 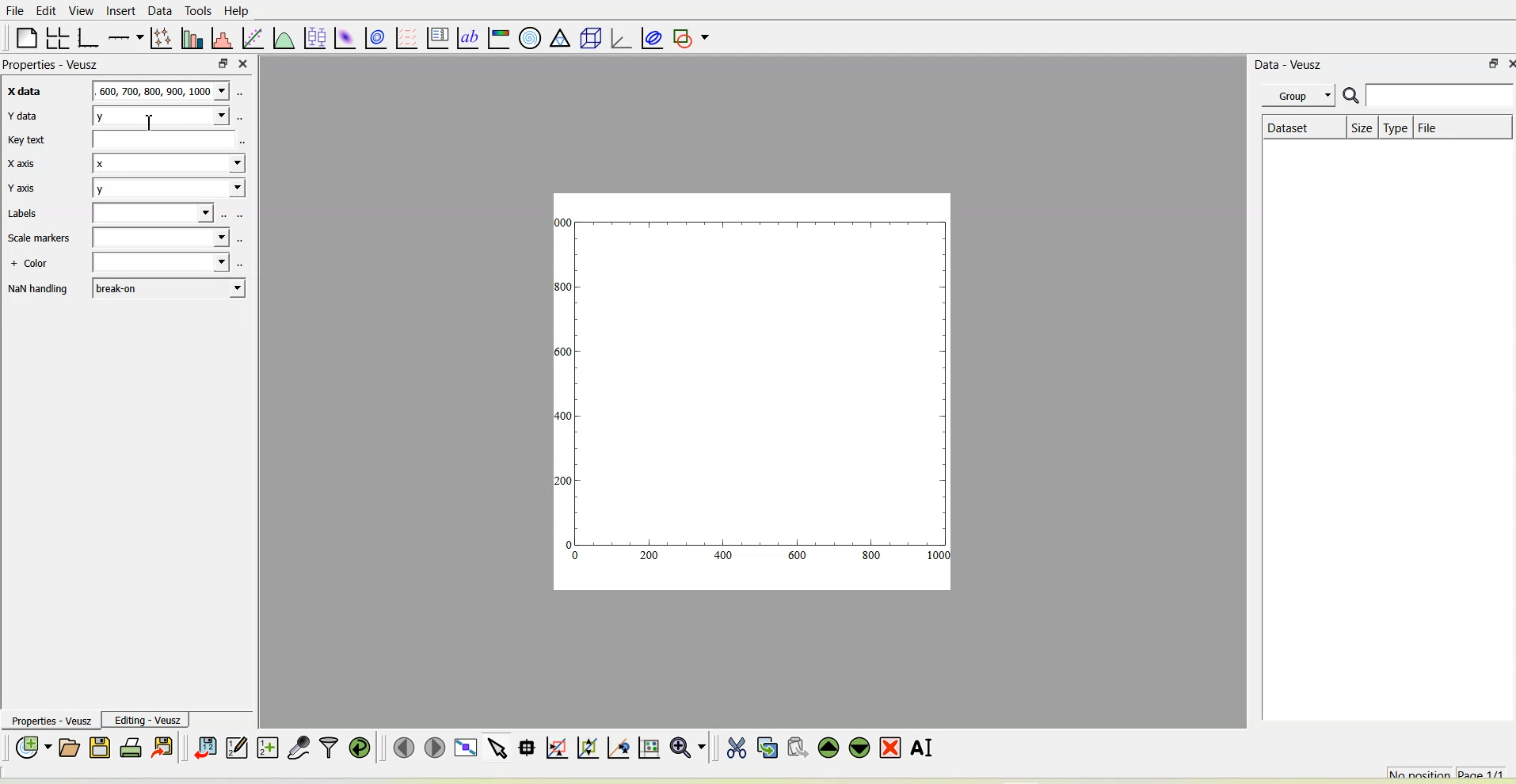 What do you see at coordinates (403, 747) in the screenshot?
I see `Move to the previous page` at bounding box center [403, 747].